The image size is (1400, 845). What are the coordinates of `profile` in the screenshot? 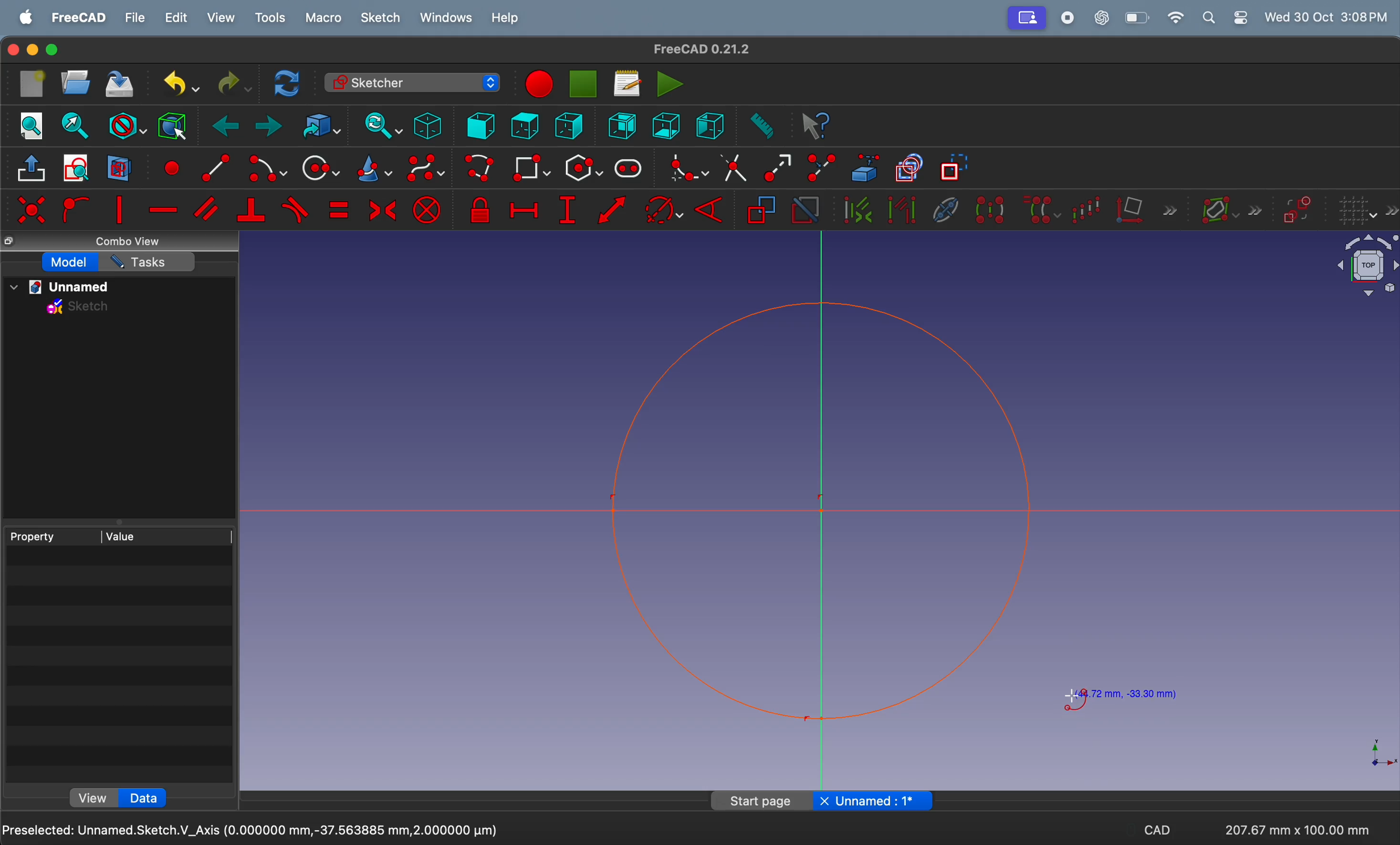 It's located at (1026, 18).